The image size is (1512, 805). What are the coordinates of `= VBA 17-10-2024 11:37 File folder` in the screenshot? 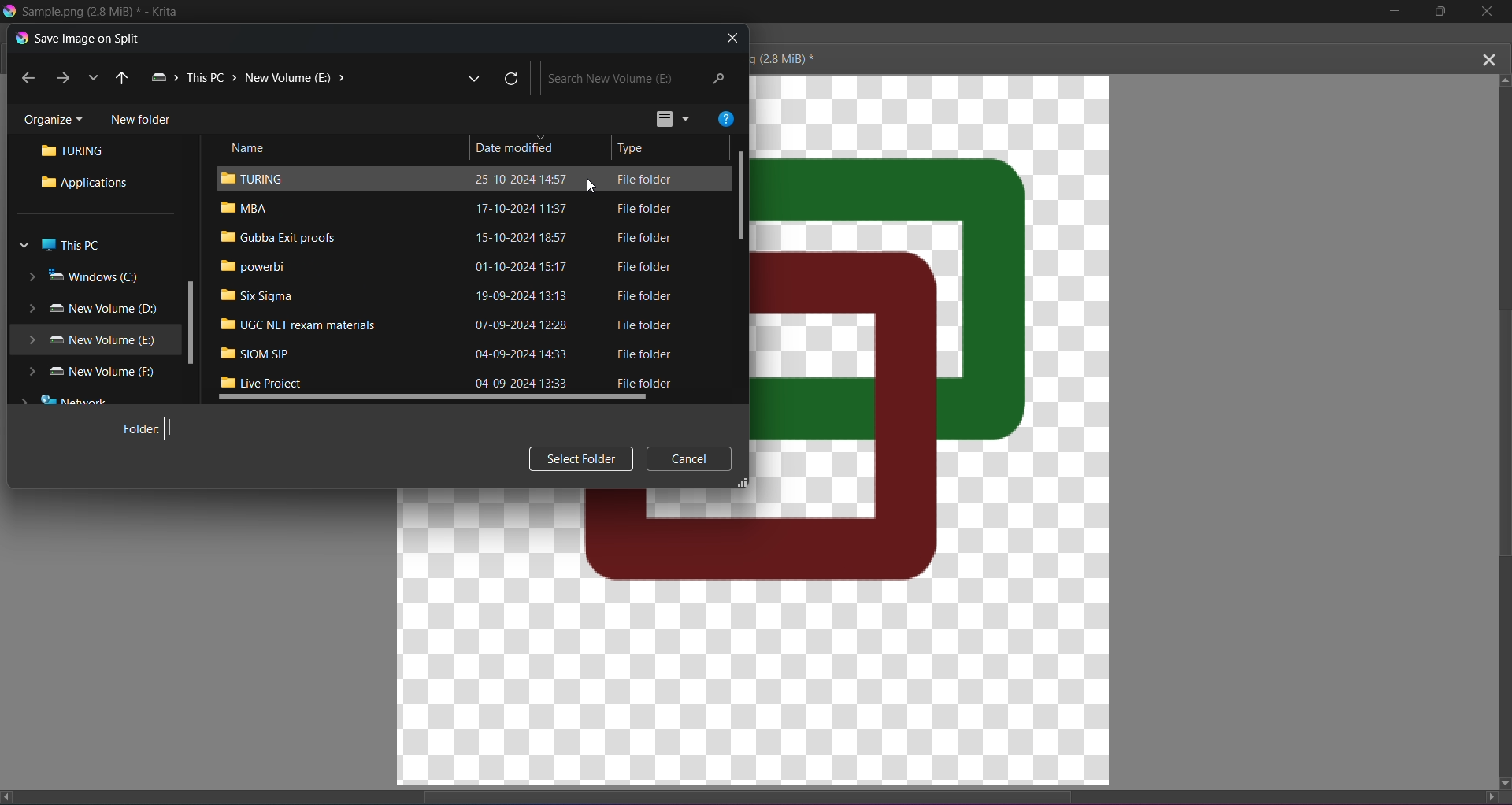 It's located at (460, 210).